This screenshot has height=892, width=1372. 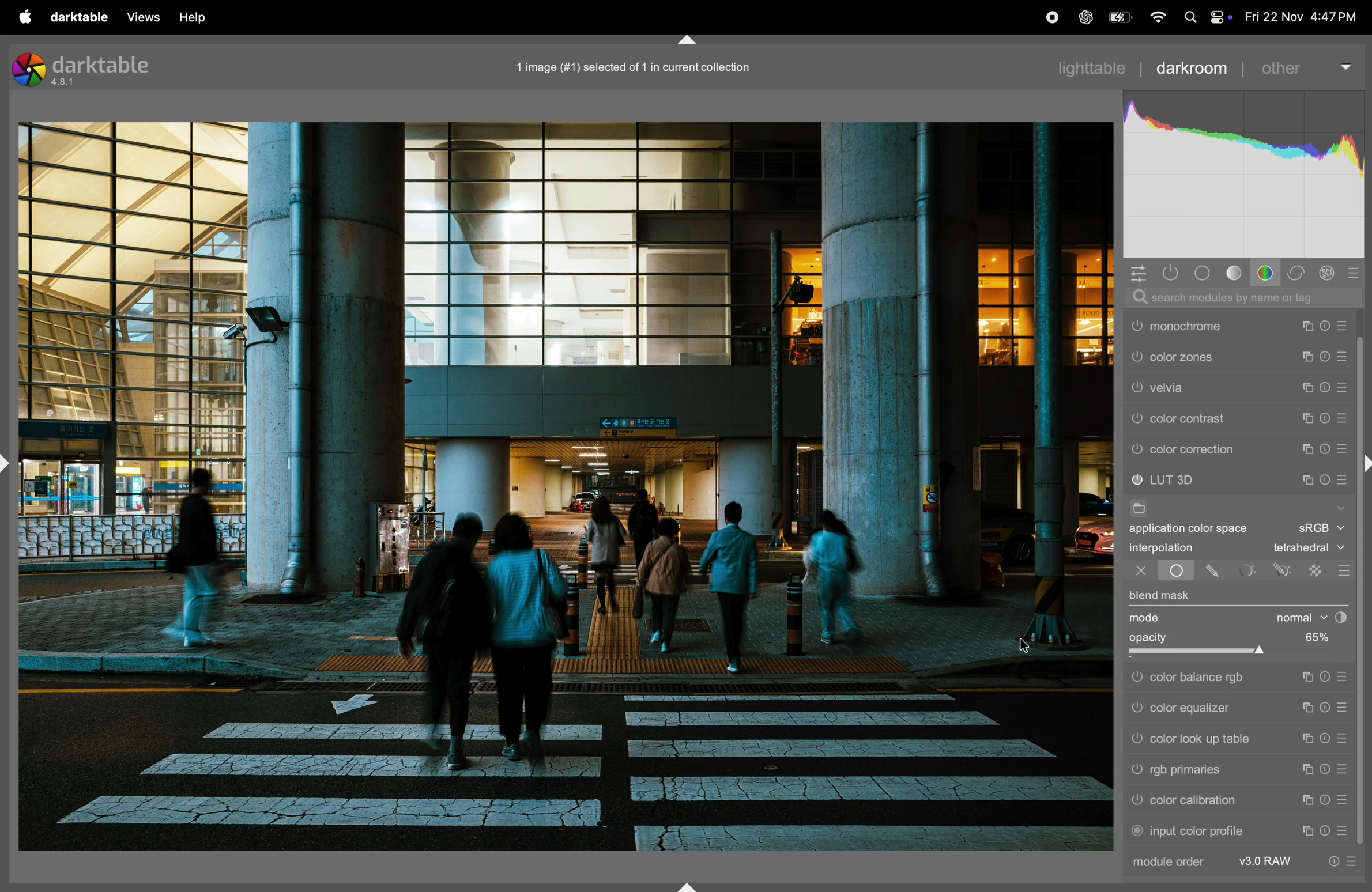 I want to click on multiple instance actions, so click(x=1305, y=738).